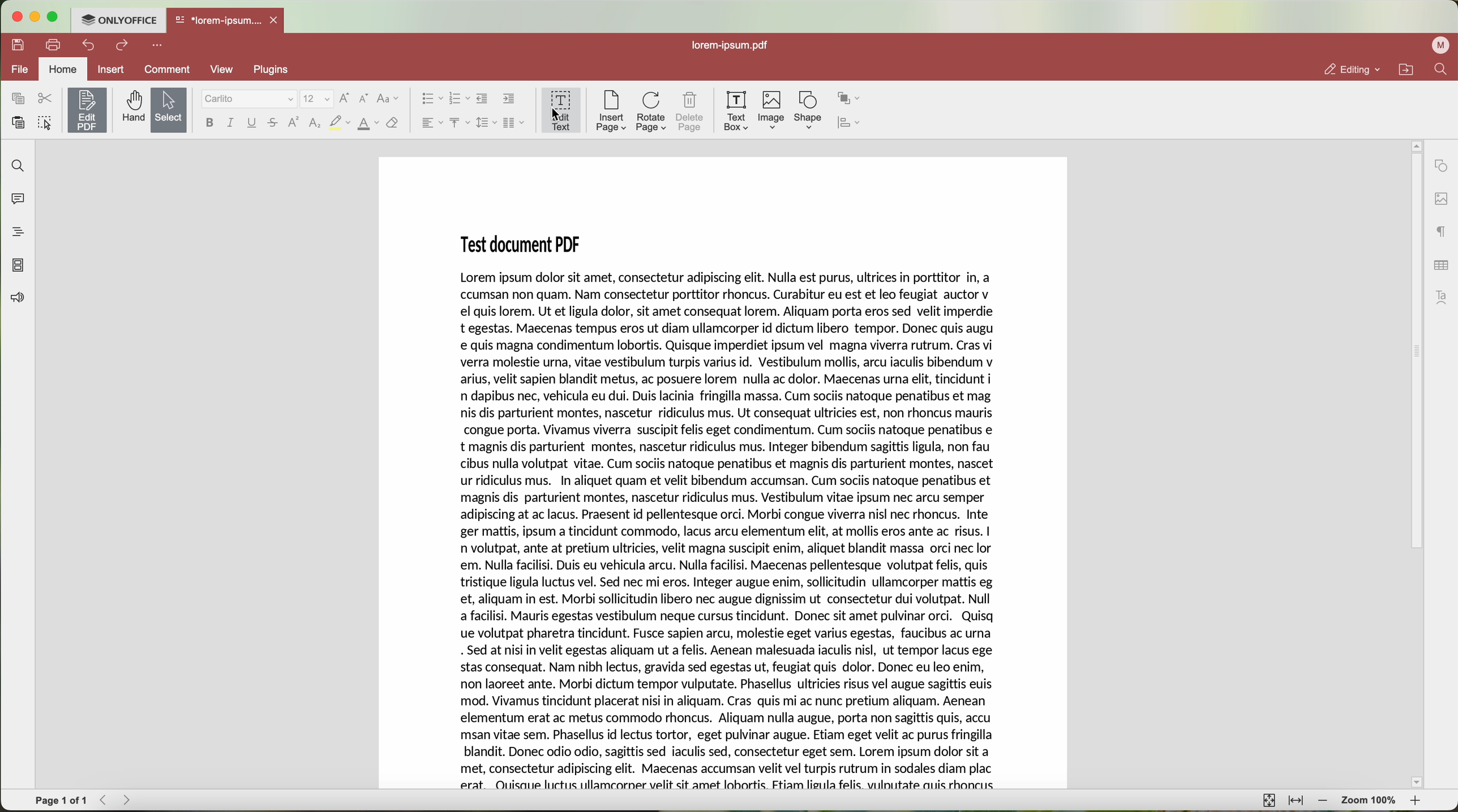  Describe the element at coordinates (561, 111) in the screenshot. I see `edit text` at that location.